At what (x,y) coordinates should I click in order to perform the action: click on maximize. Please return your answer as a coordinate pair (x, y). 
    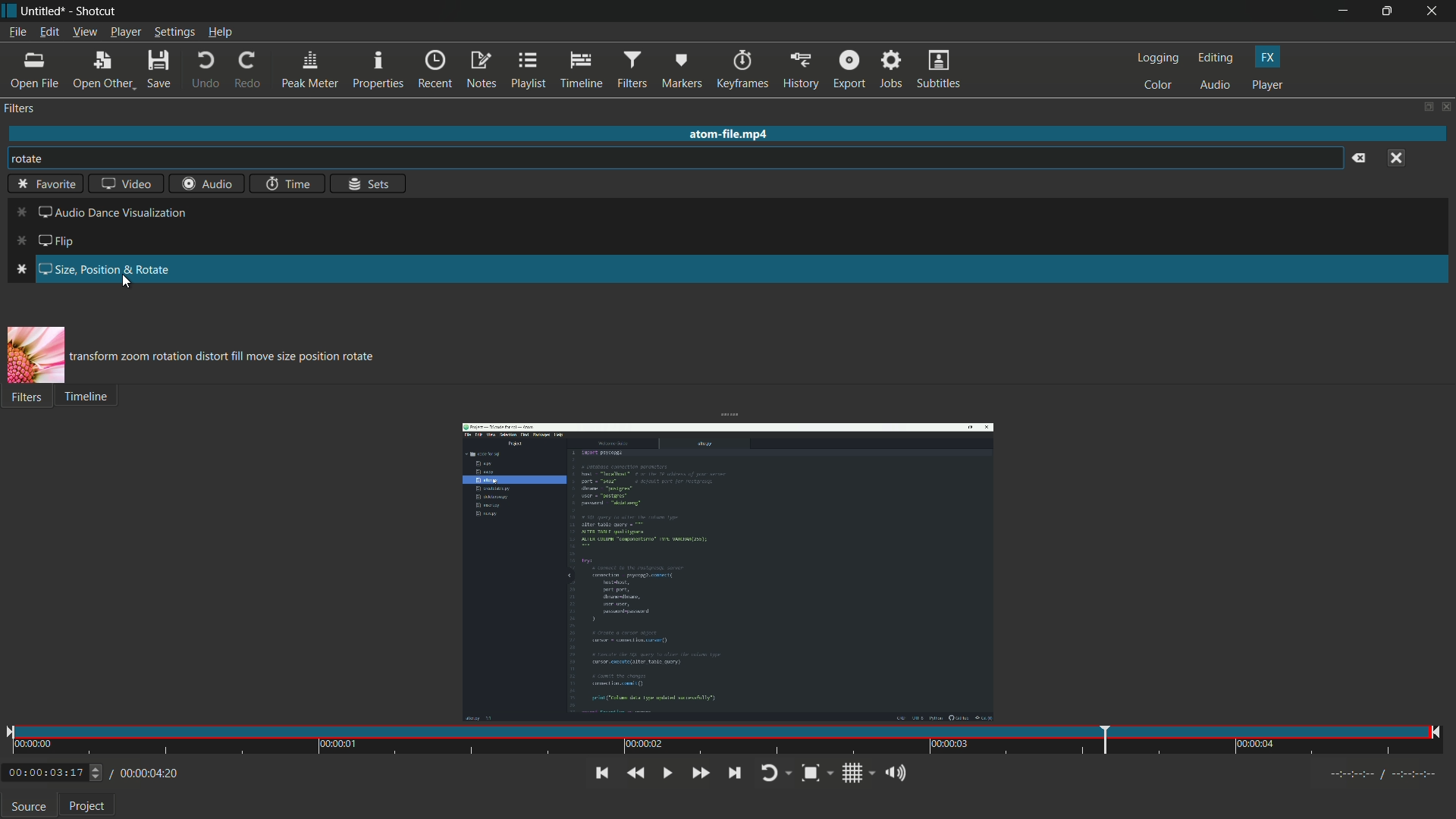
    Looking at the image, I should click on (1391, 11).